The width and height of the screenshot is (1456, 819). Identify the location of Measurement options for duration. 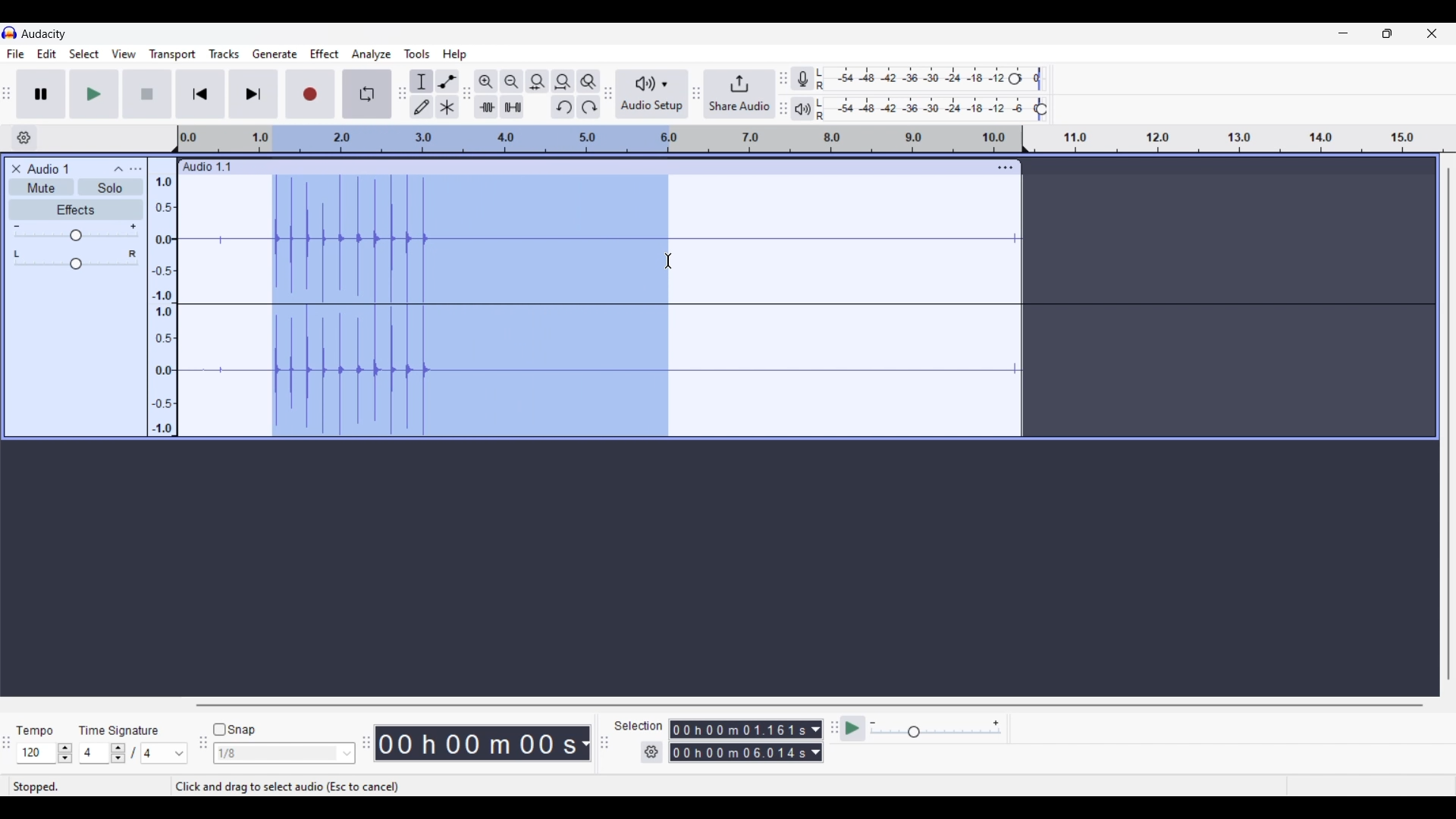
(584, 744).